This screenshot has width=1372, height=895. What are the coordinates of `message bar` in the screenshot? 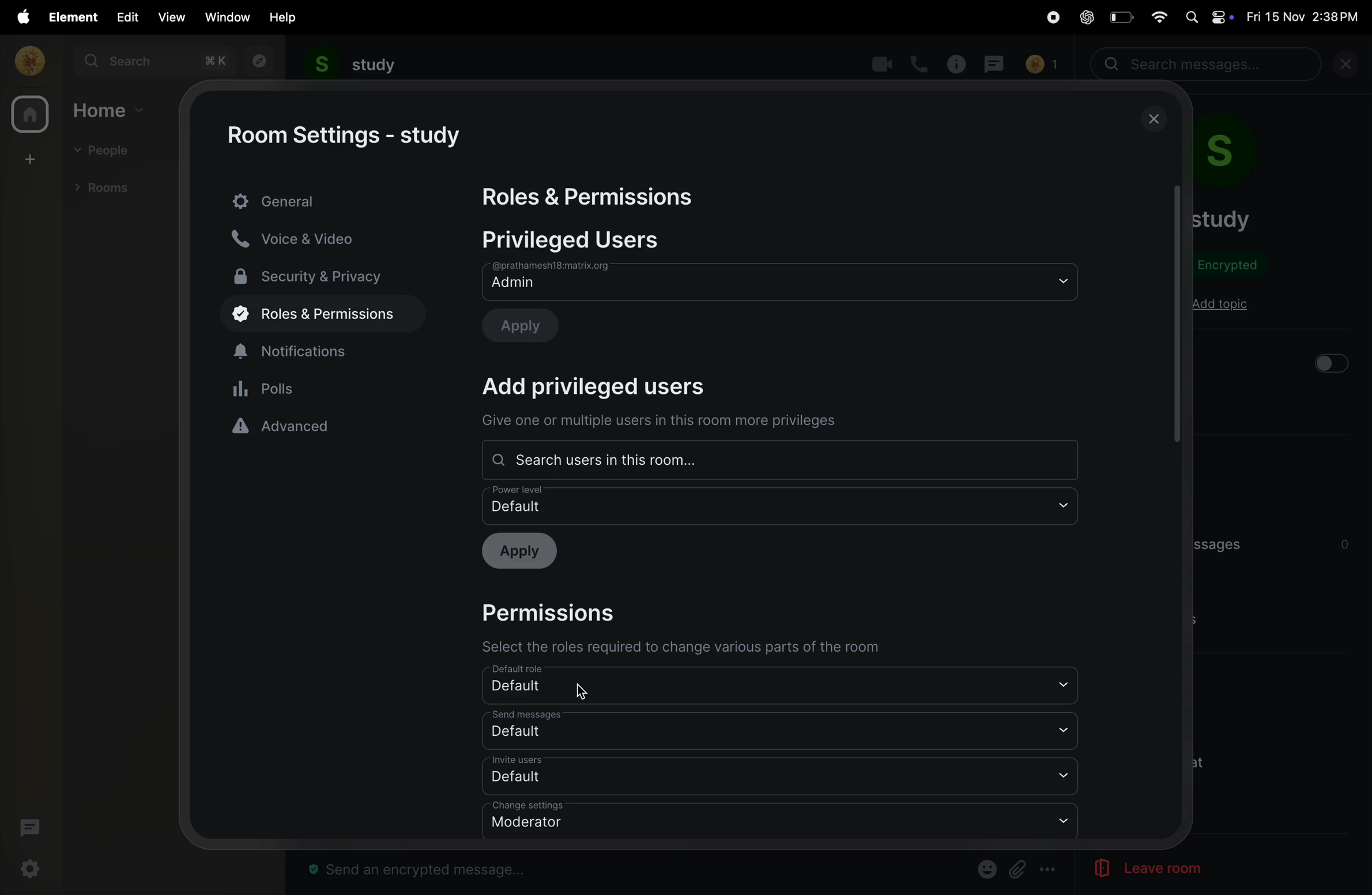 It's located at (423, 871).